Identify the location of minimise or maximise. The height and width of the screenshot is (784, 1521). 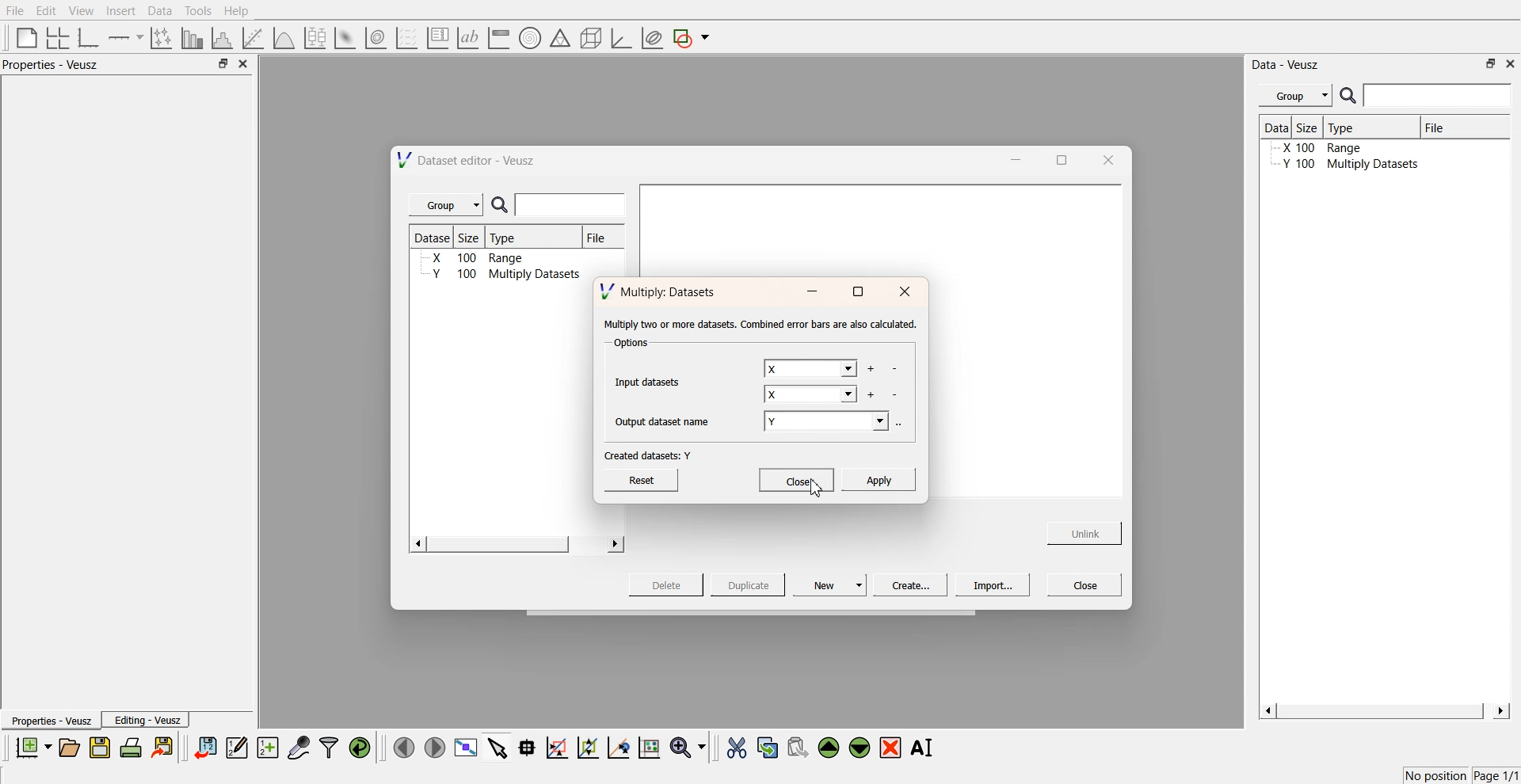
(1491, 63).